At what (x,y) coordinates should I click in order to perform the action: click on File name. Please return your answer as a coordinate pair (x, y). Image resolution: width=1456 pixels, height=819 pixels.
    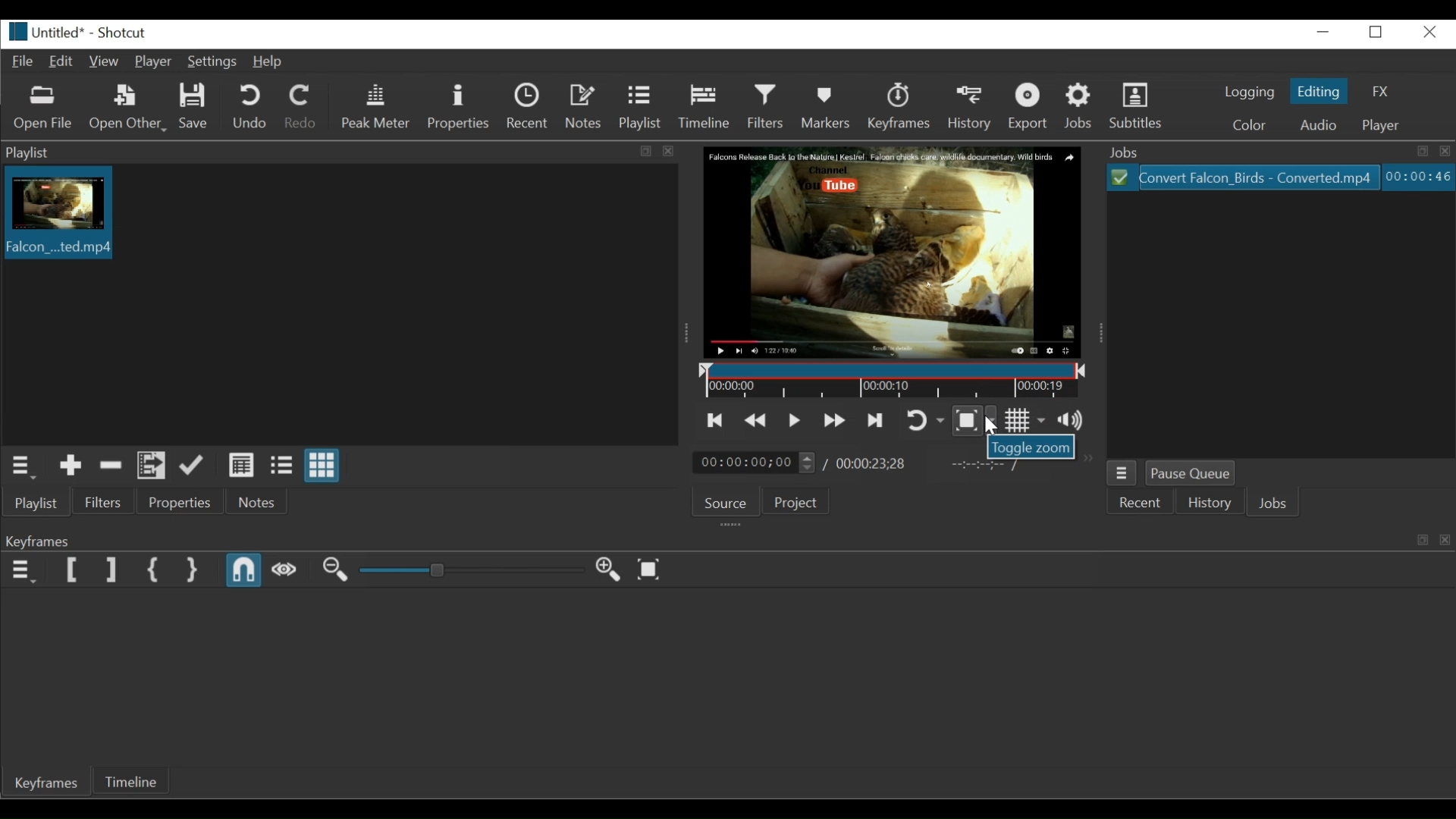
    Looking at the image, I should click on (43, 33).